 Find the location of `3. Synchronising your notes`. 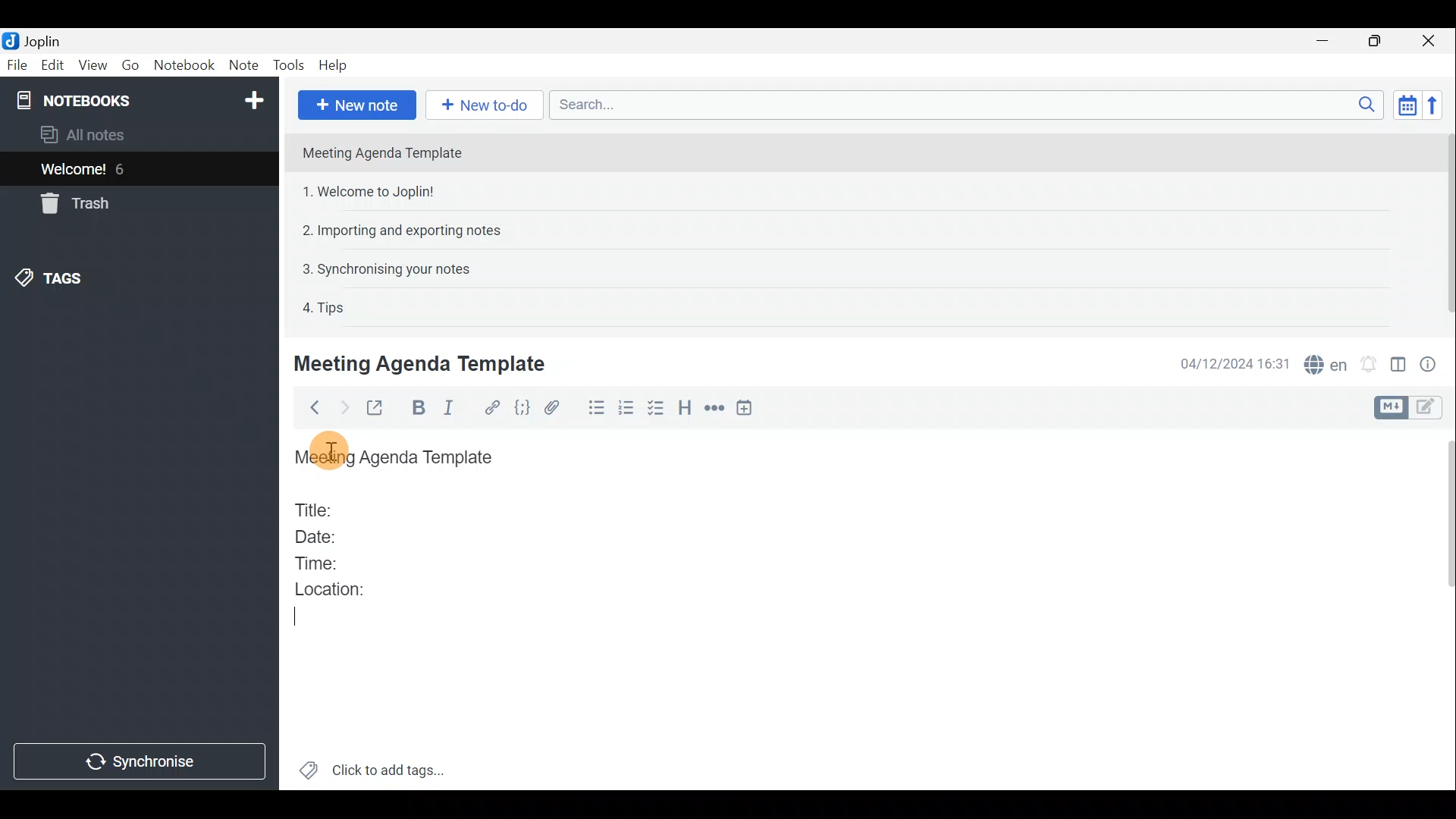

3. Synchronising your notes is located at coordinates (386, 268).